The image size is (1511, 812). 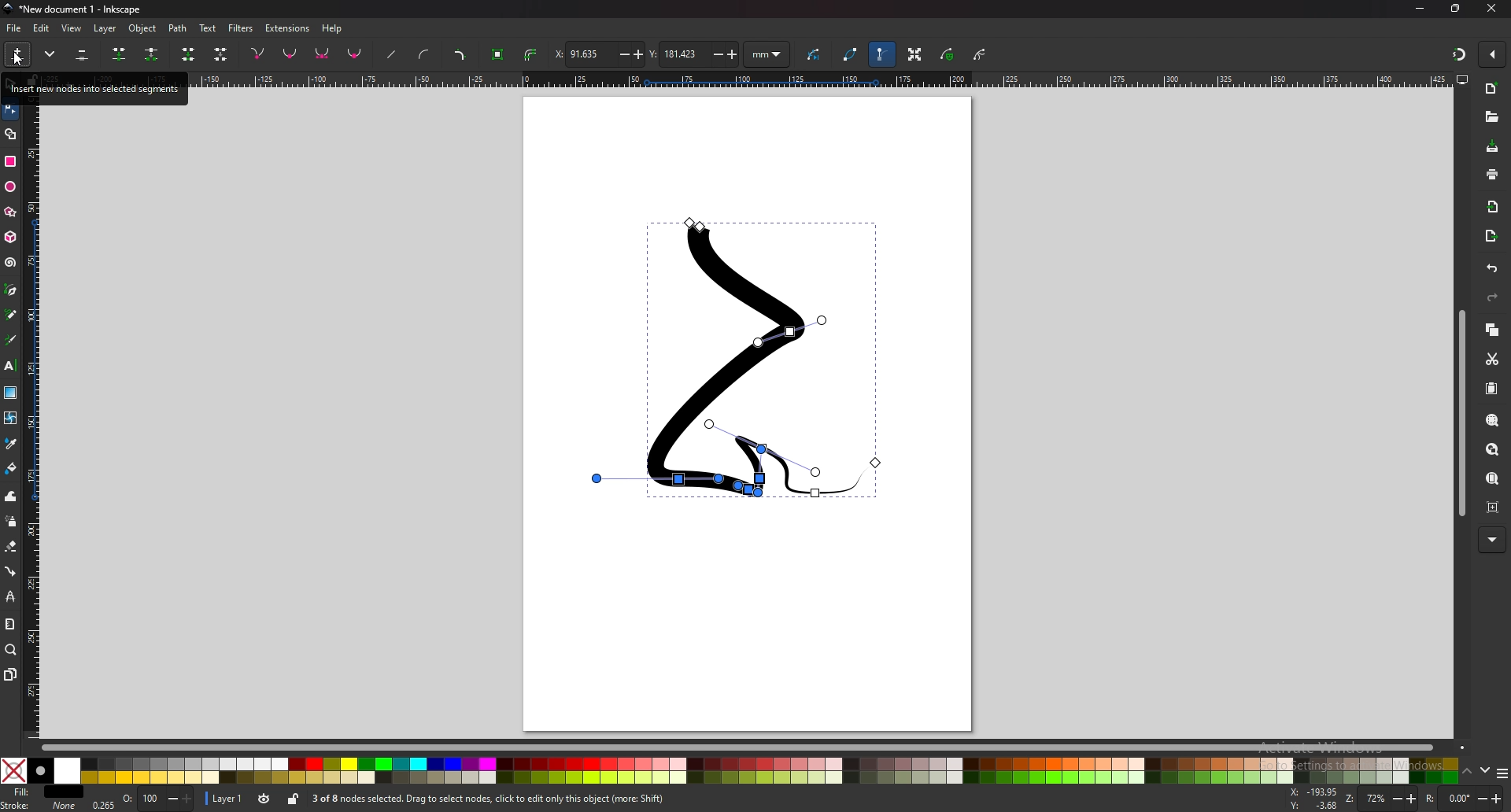 What do you see at coordinates (286, 28) in the screenshot?
I see `extensions` at bounding box center [286, 28].